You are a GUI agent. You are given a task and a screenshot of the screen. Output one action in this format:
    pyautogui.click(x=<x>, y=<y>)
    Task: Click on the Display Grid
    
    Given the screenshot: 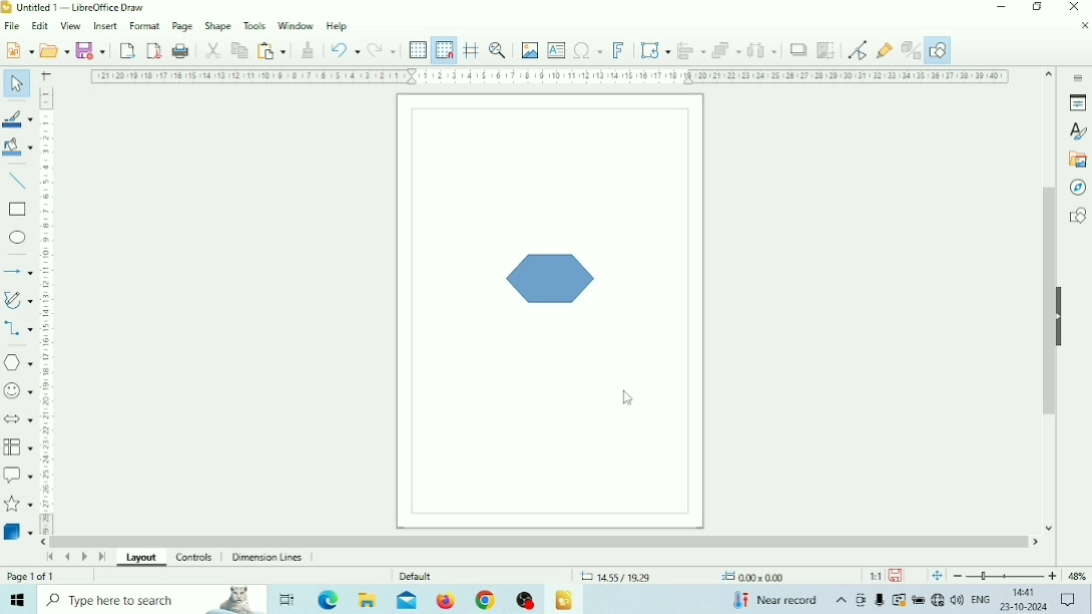 What is the action you would take?
    pyautogui.click(x=418, y=51)
    